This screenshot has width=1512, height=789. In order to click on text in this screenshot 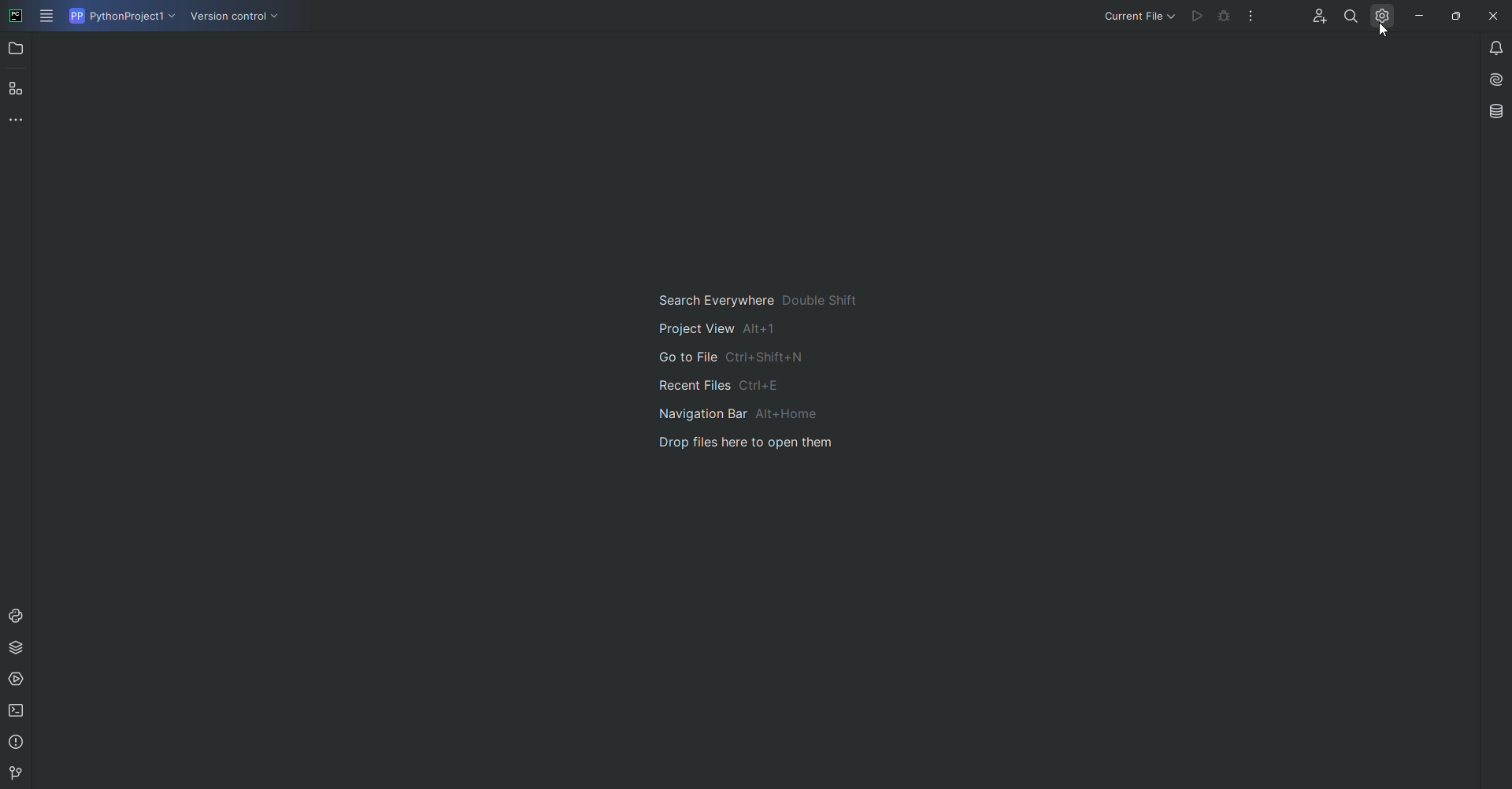, I will do `click(749, 369)`.